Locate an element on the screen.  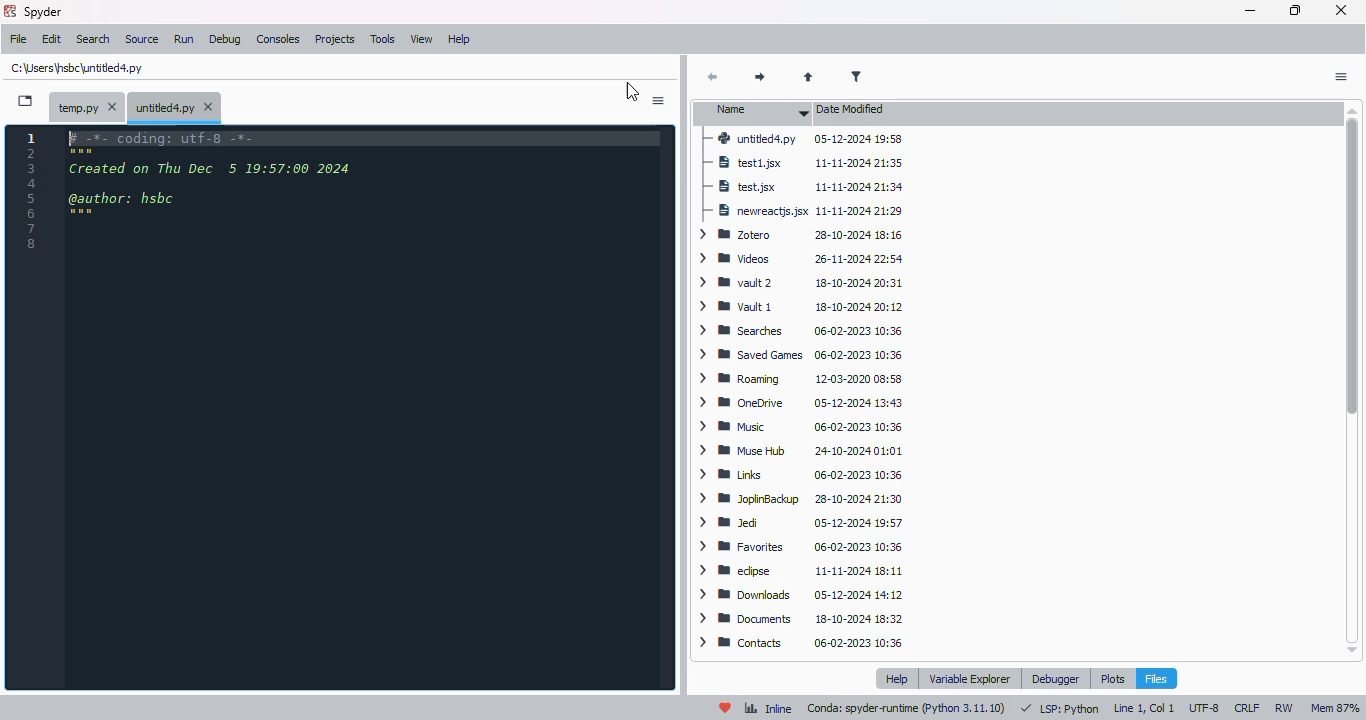
temporary file is located at coordinates (87, 108).